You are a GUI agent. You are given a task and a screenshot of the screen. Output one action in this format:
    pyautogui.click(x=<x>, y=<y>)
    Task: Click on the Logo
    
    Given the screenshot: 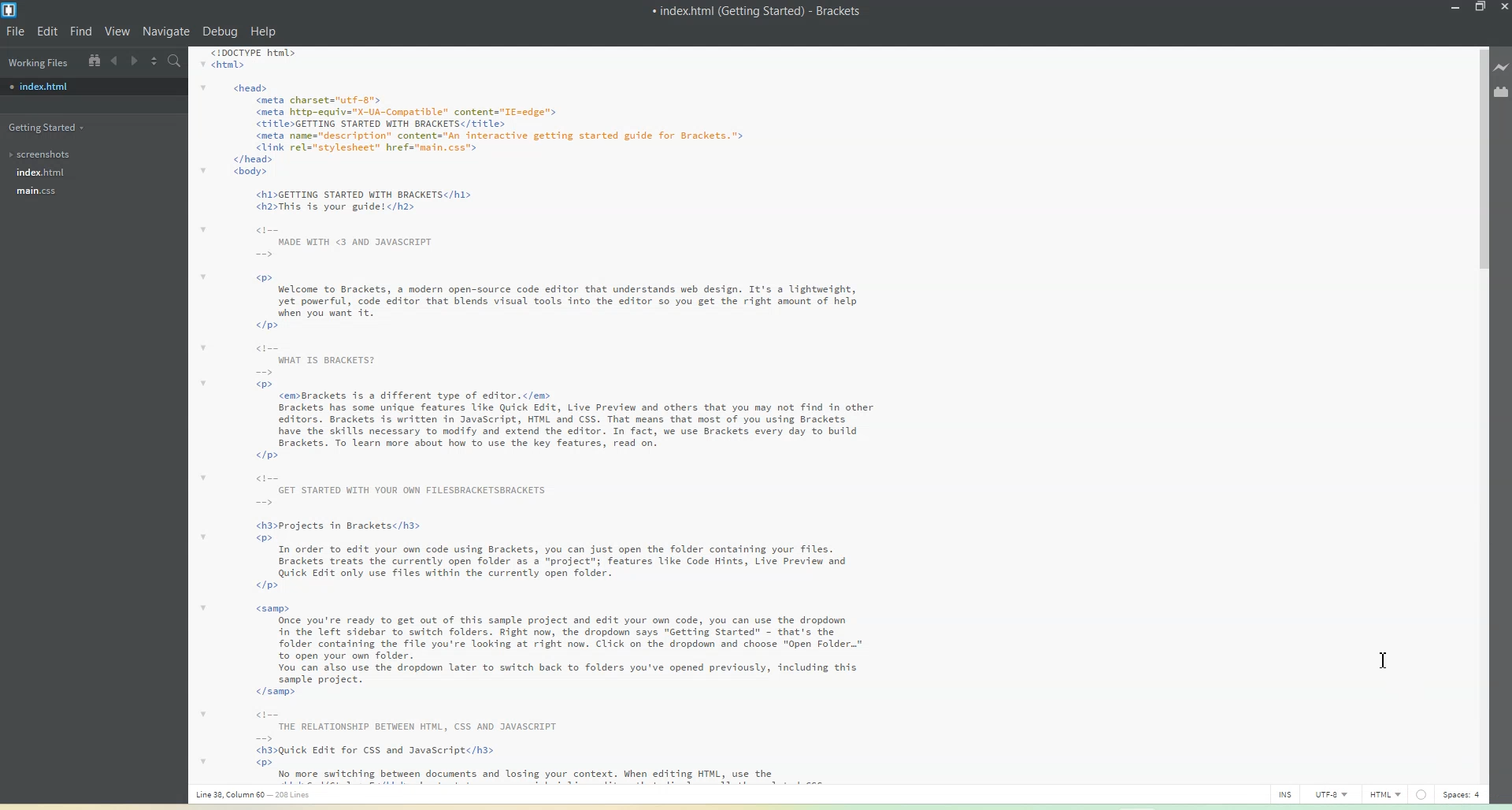 What is the action you would take?
    pyautogui.click(x=13, y=11)
    